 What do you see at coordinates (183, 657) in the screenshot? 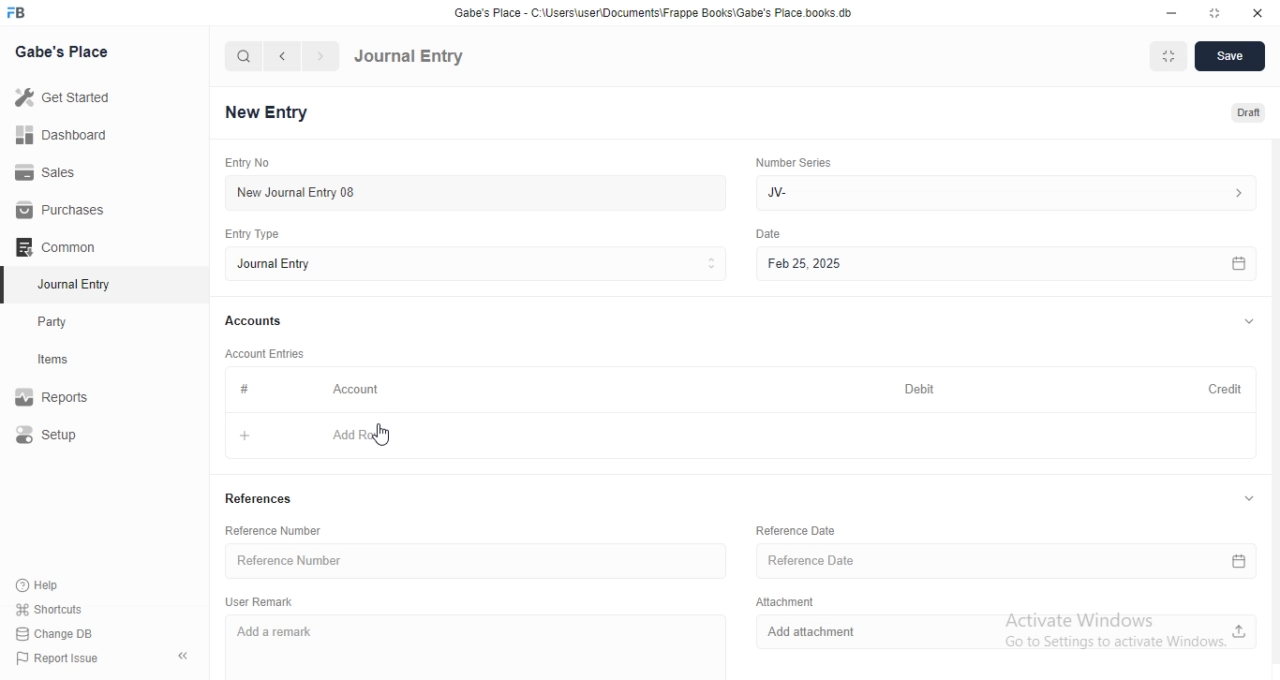
I see `collapse sidebar` at bounding box center [183, 657].